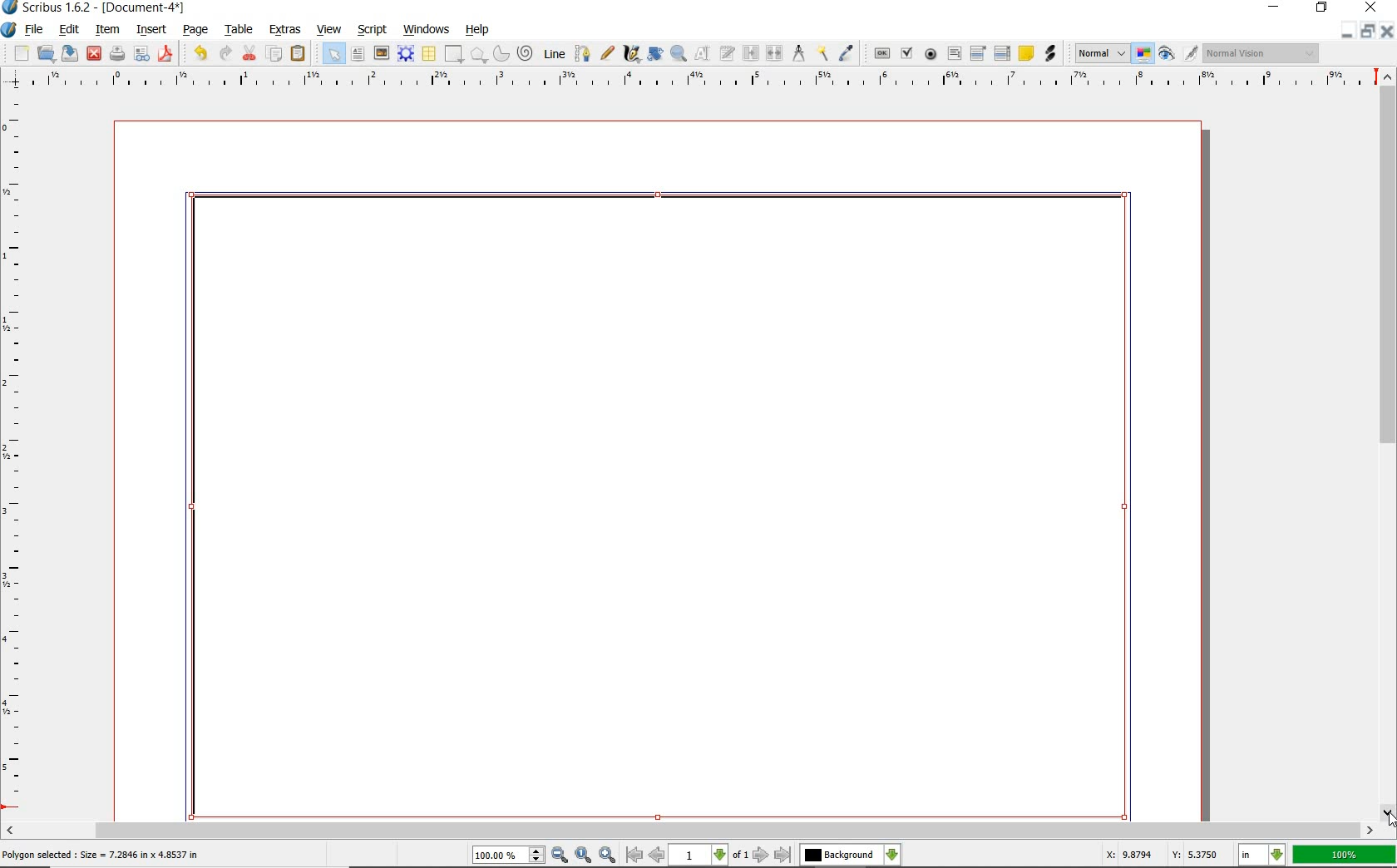  Describe the element at coordinates (429, 54) in the screenshot. I see `table` at that location.